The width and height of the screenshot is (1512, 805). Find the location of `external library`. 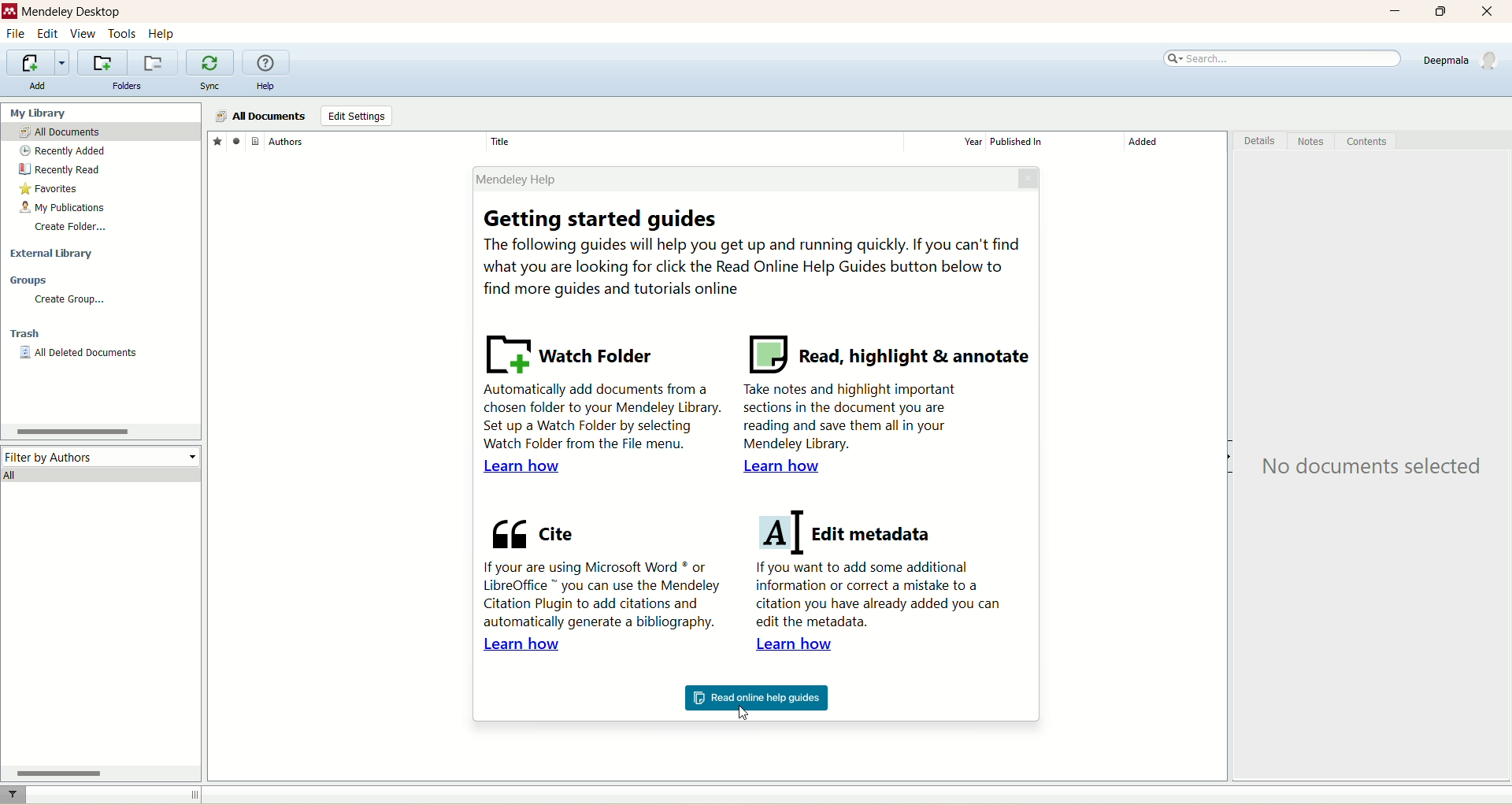

external library is located at coordinates (52, 254).